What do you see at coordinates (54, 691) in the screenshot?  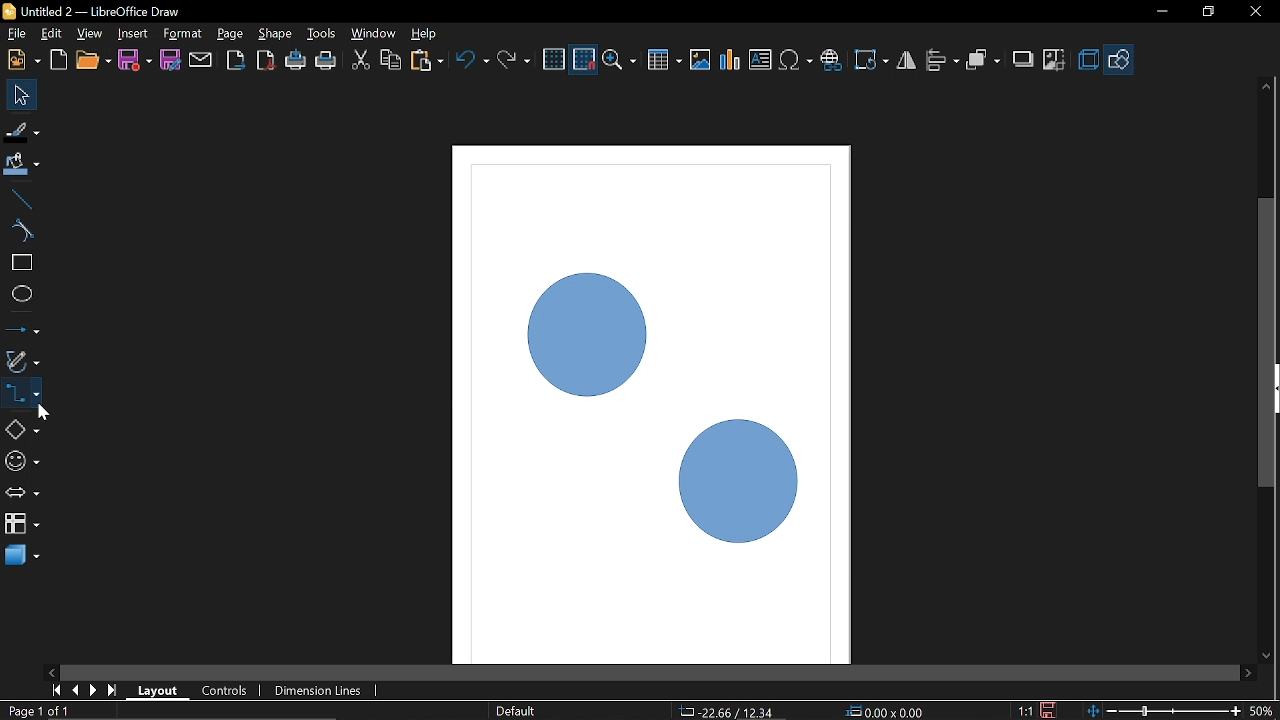 I see `go to first page` at bounding box center [54, 691].